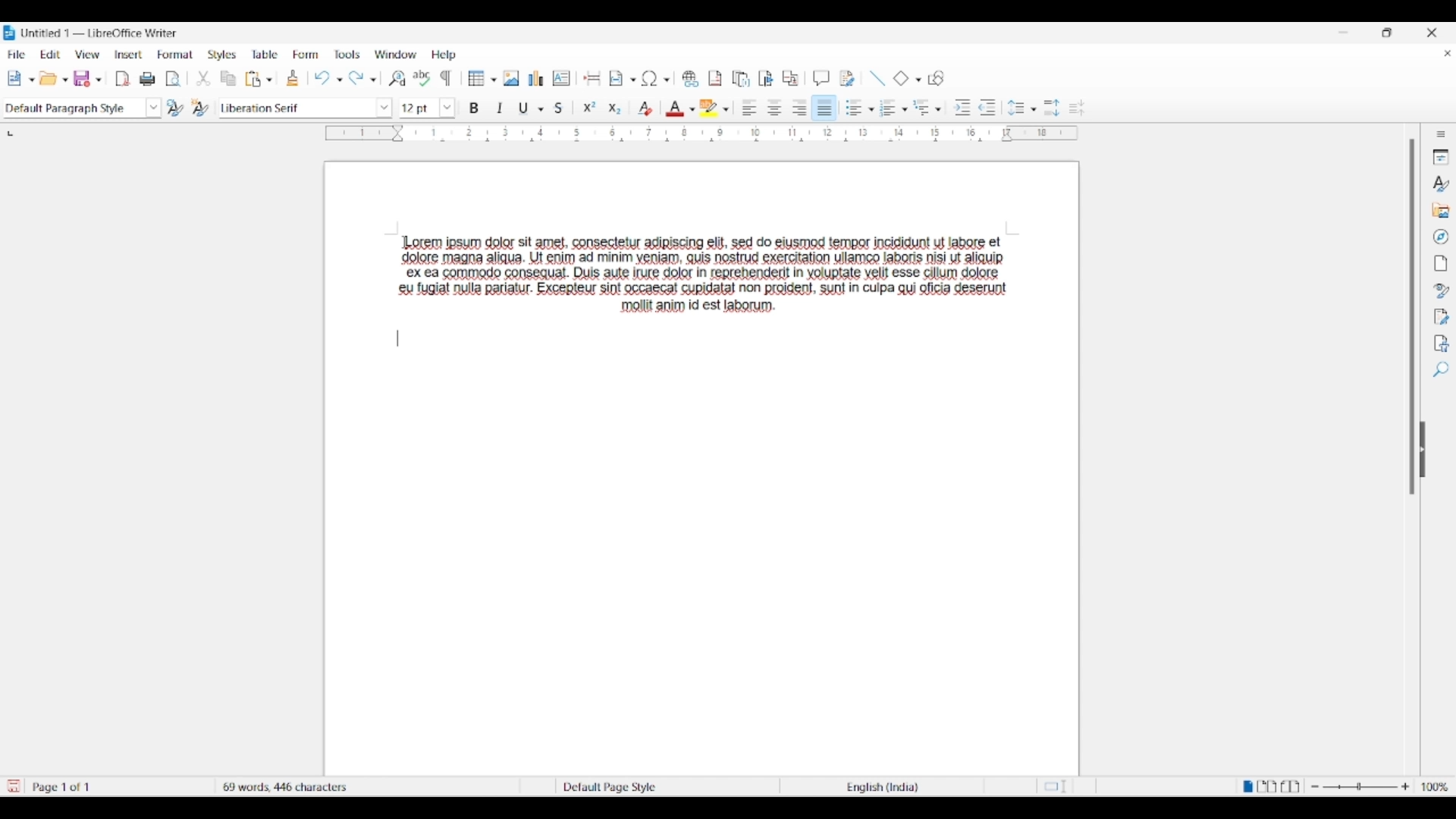  What do you see at coordinates (716, 79) in the screenshot?
I see `Insert footnote` at bounding box center [716, 79].